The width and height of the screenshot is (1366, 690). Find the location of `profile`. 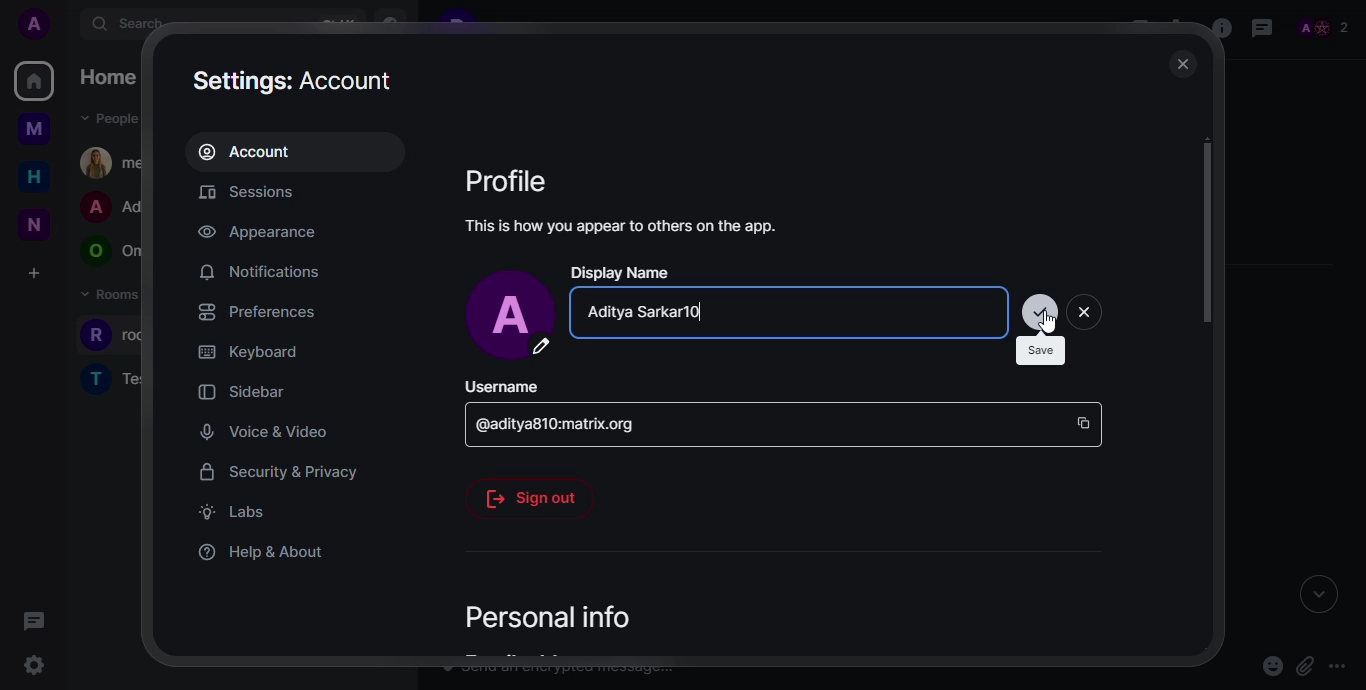

profile is located at coordinates (508, 180).